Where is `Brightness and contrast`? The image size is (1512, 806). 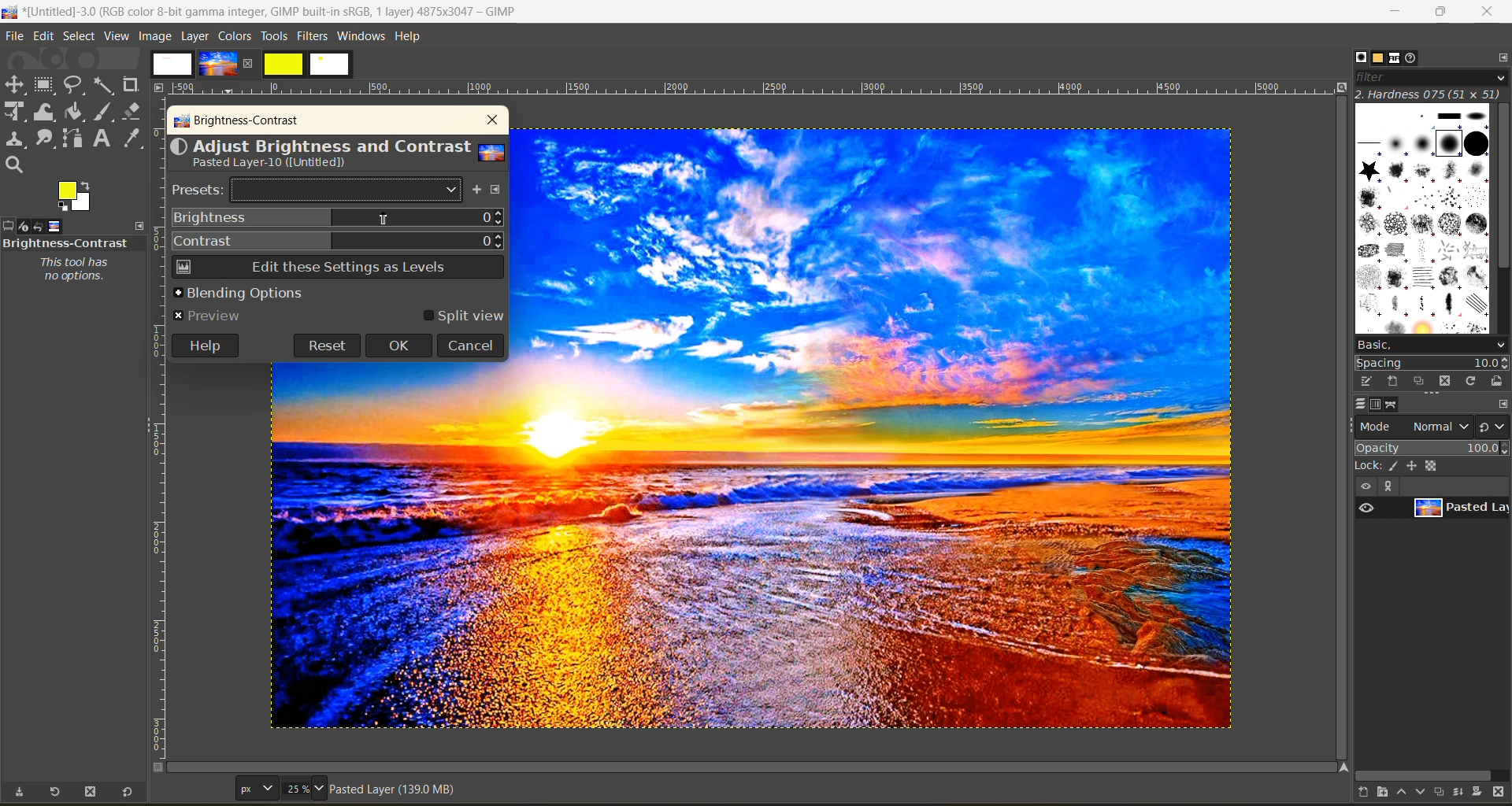 Brightness and contrast is located at coordinates (66, 242).